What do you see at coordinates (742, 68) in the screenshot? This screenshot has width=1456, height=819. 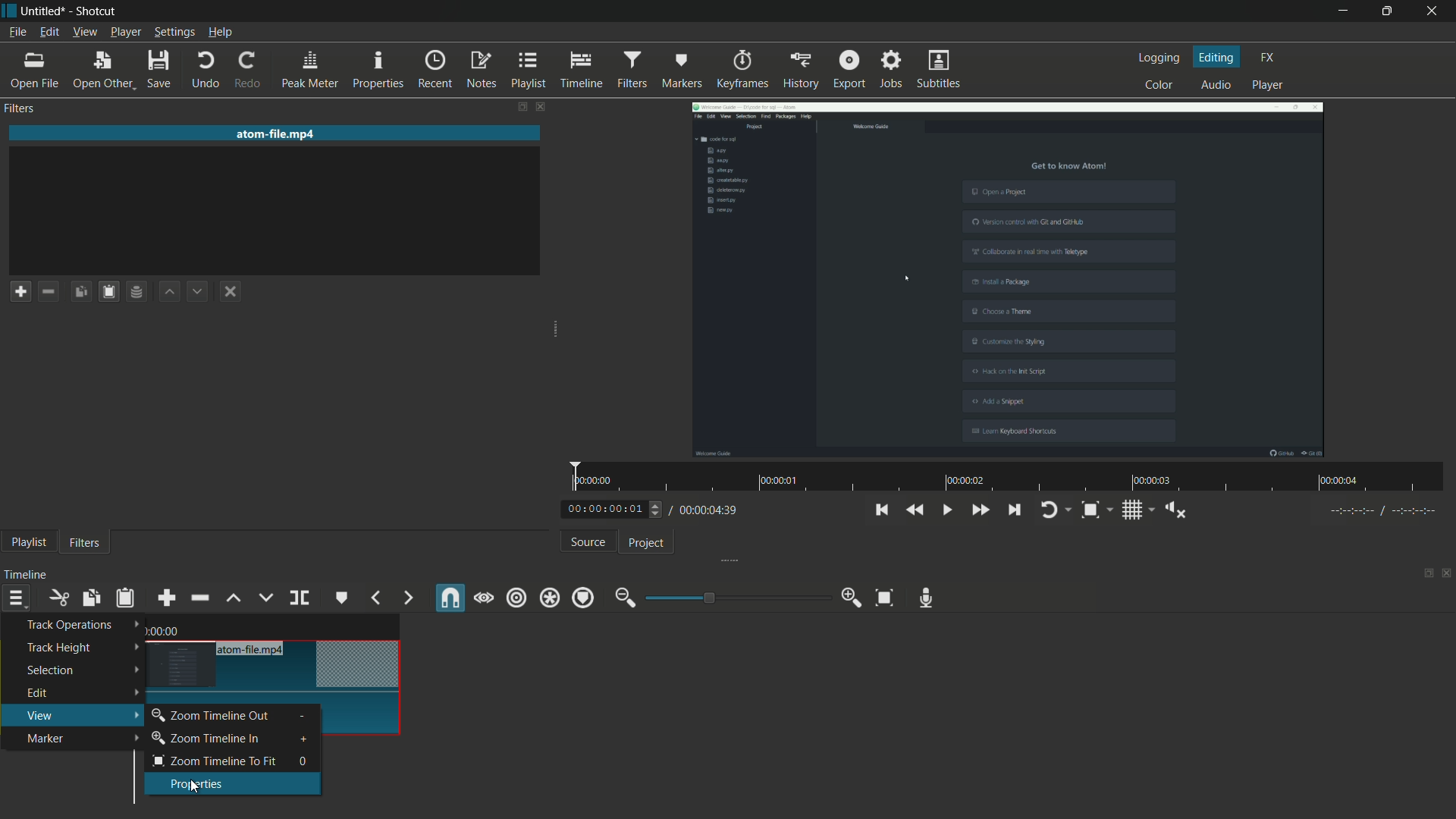 I see `keyframes` at bounding box center [742, 68].